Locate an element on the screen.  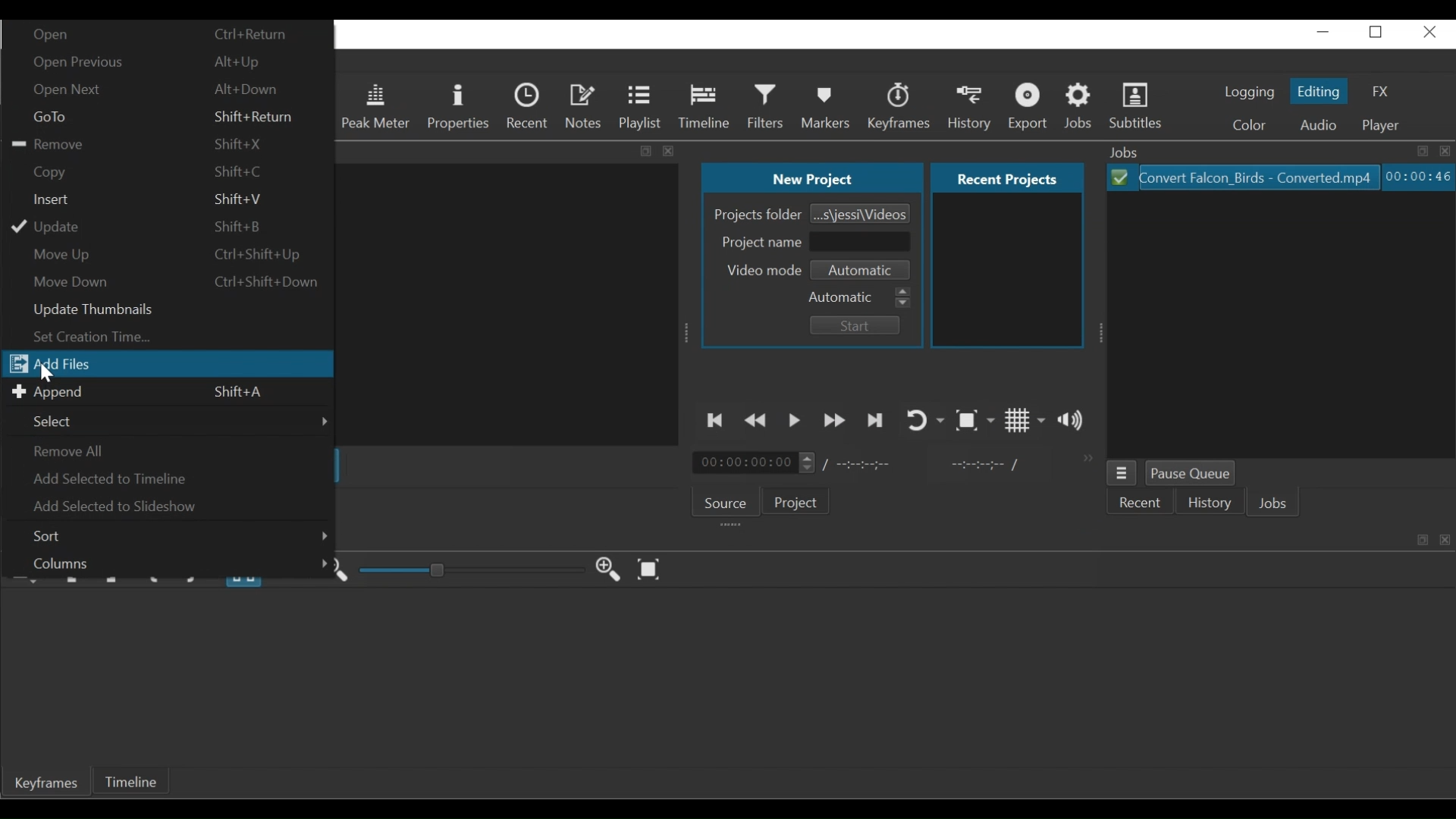
Add Selected to Timeline is located at coordinates (177, 478).